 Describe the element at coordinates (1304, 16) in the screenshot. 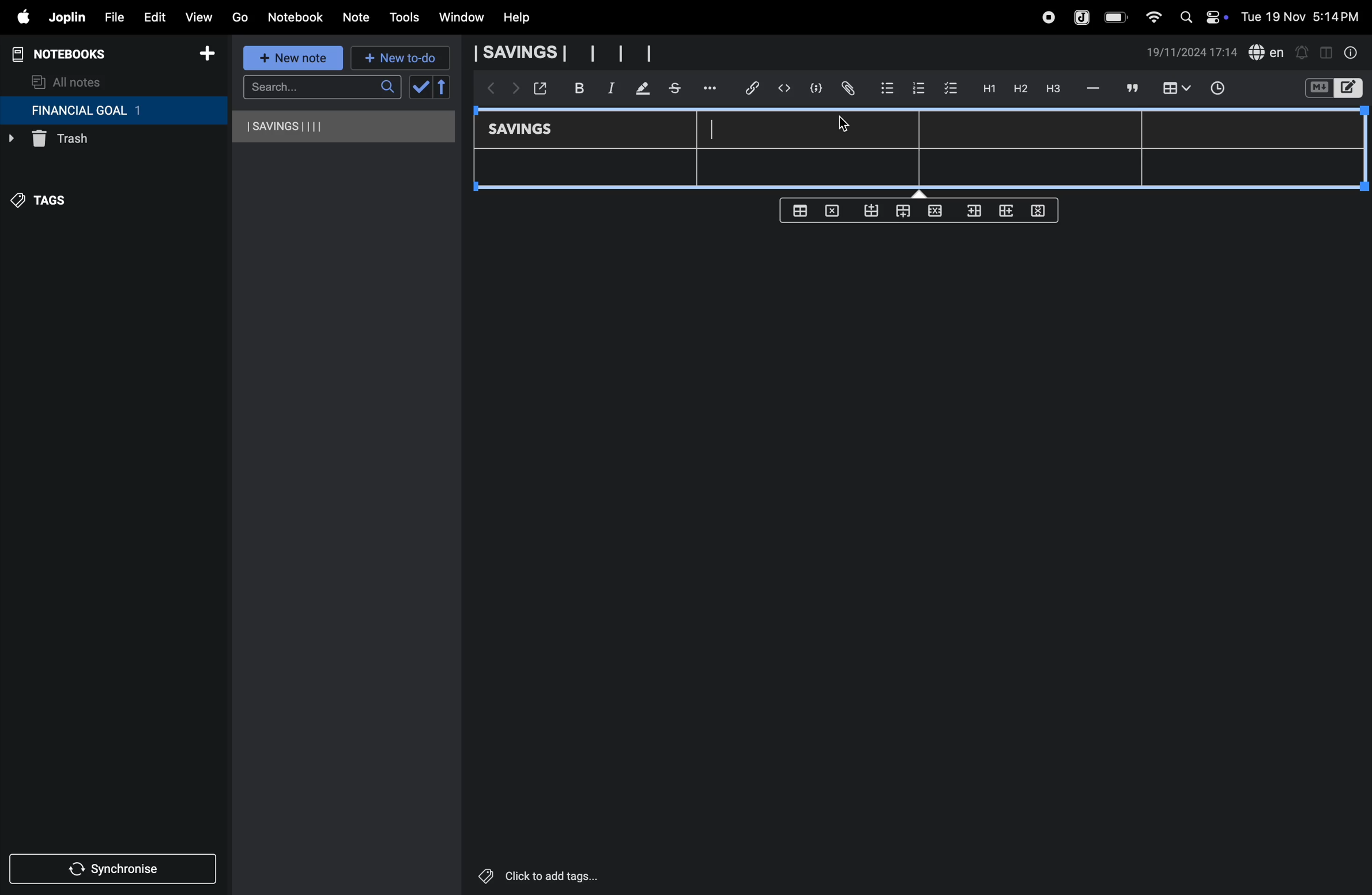

I see `date and time` at that location.